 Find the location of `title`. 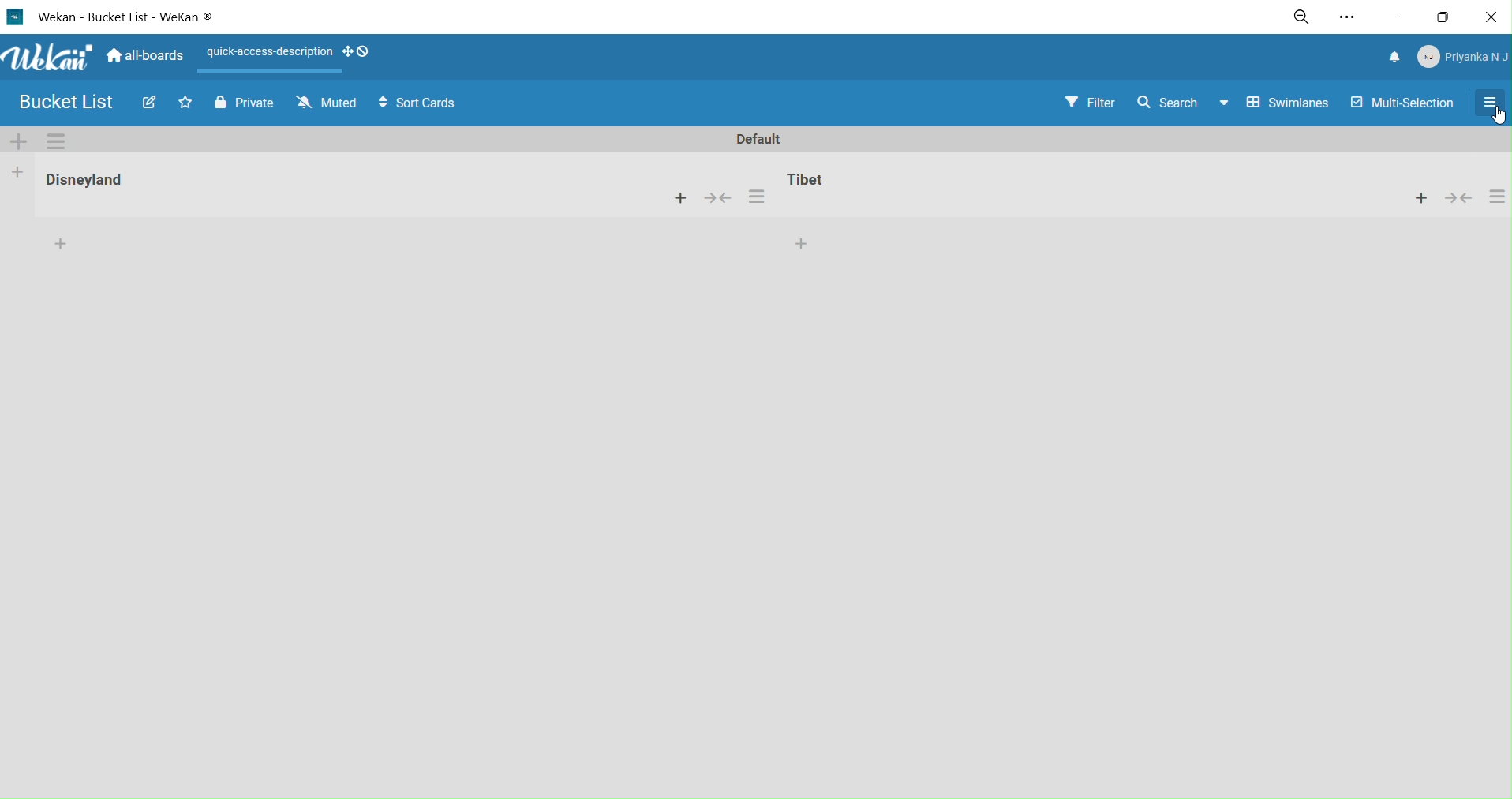

title is located at coordinates (51, 57).